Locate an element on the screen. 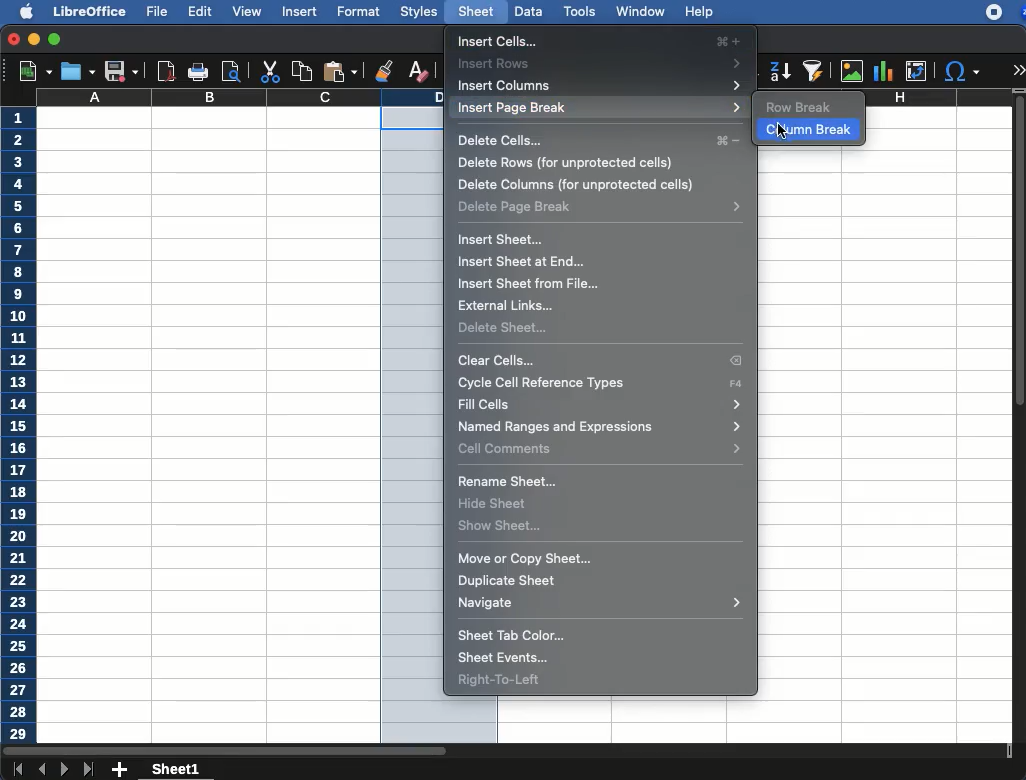 The height and width of the screenshot is (780, 1026). sort is located at coordinates (812, 72).